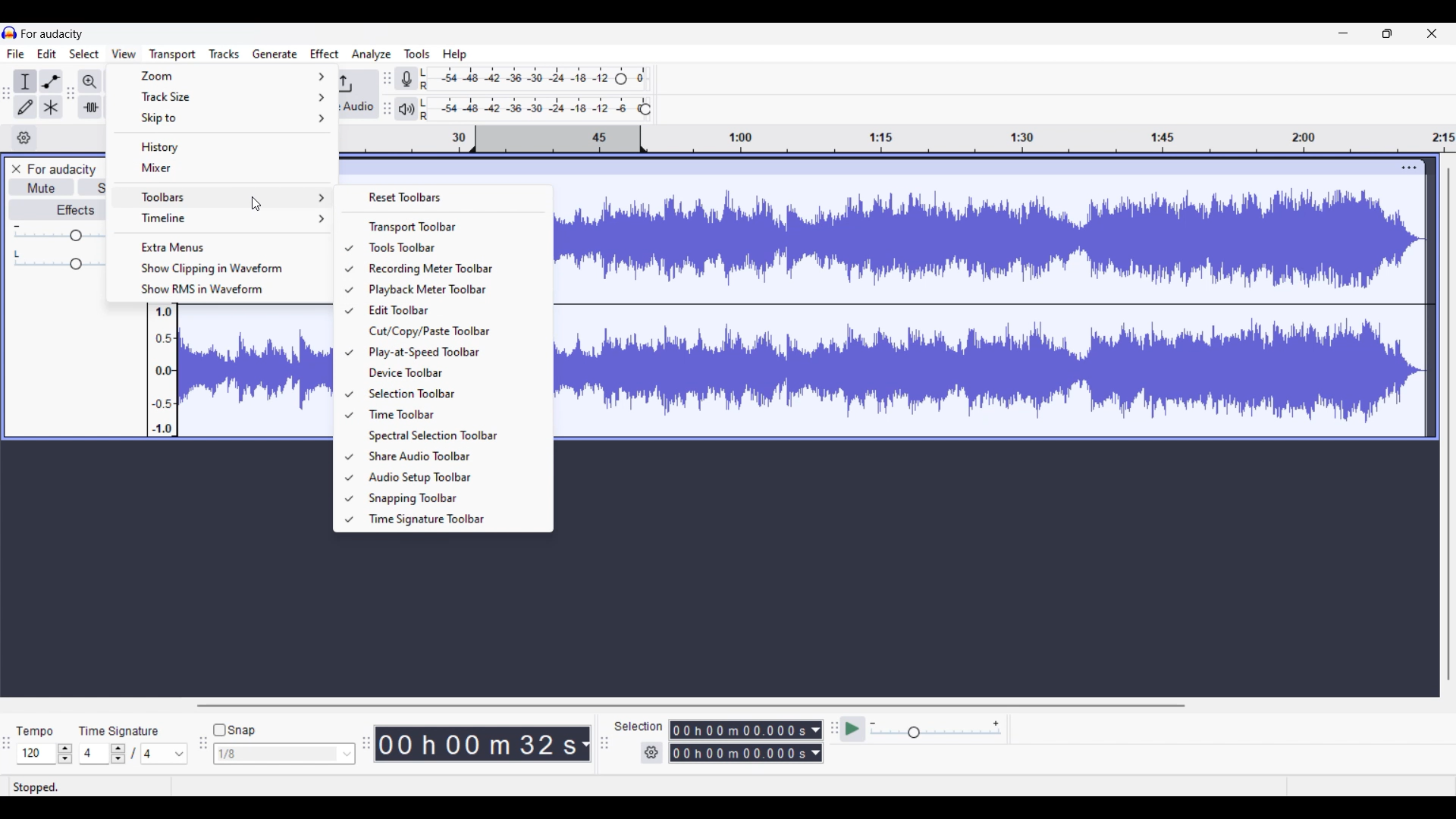 The height and width of the screenshot is (819, 1456). I want to click on Selection tool, so click(26, 81).